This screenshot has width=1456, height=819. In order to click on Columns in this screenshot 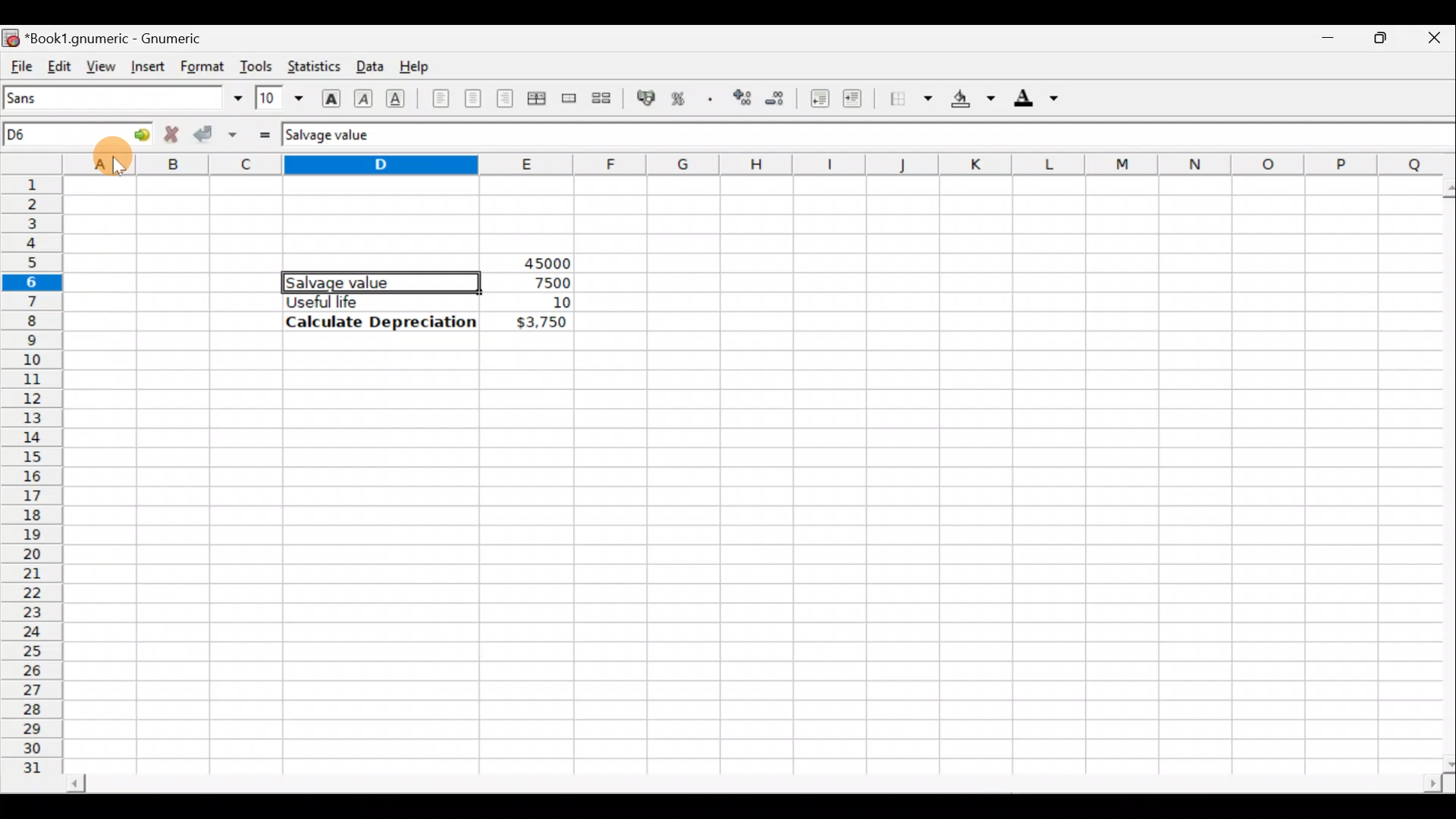, I will do `click(728, 165)`.